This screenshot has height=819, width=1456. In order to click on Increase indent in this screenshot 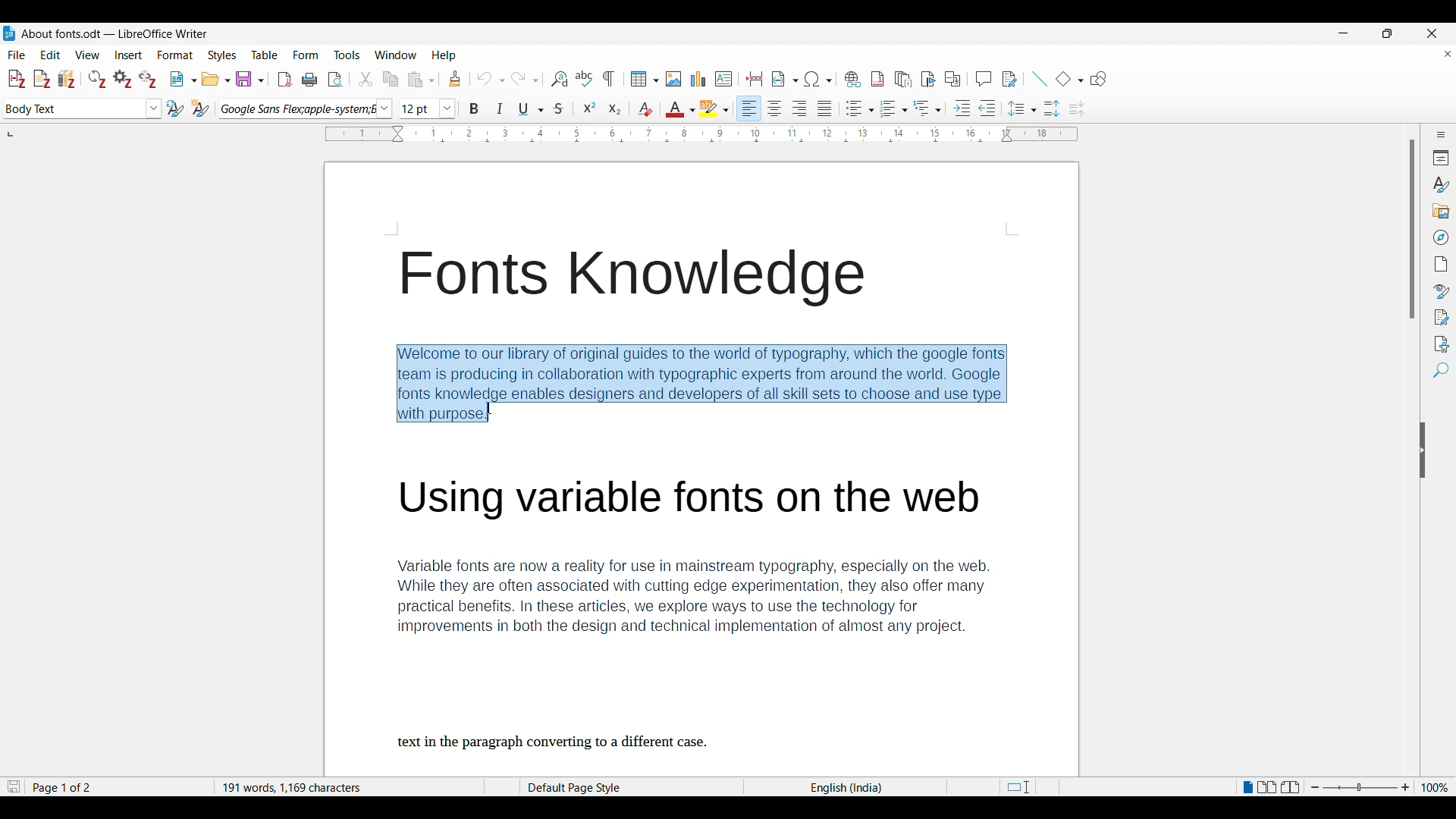, I will do `click(962, 108)`.